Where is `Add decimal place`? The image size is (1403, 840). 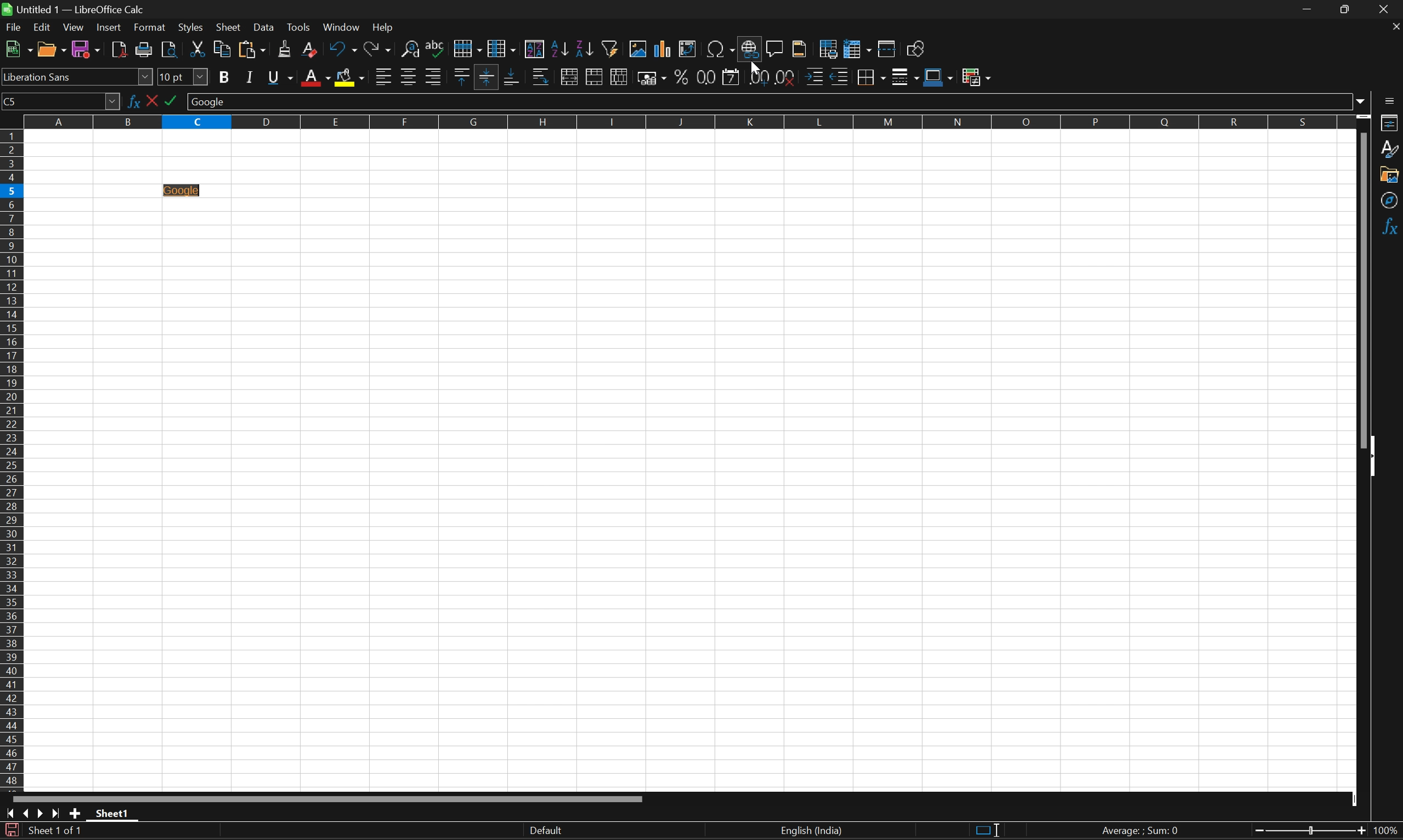 Add decimal place is located at coordinates (756, 77).